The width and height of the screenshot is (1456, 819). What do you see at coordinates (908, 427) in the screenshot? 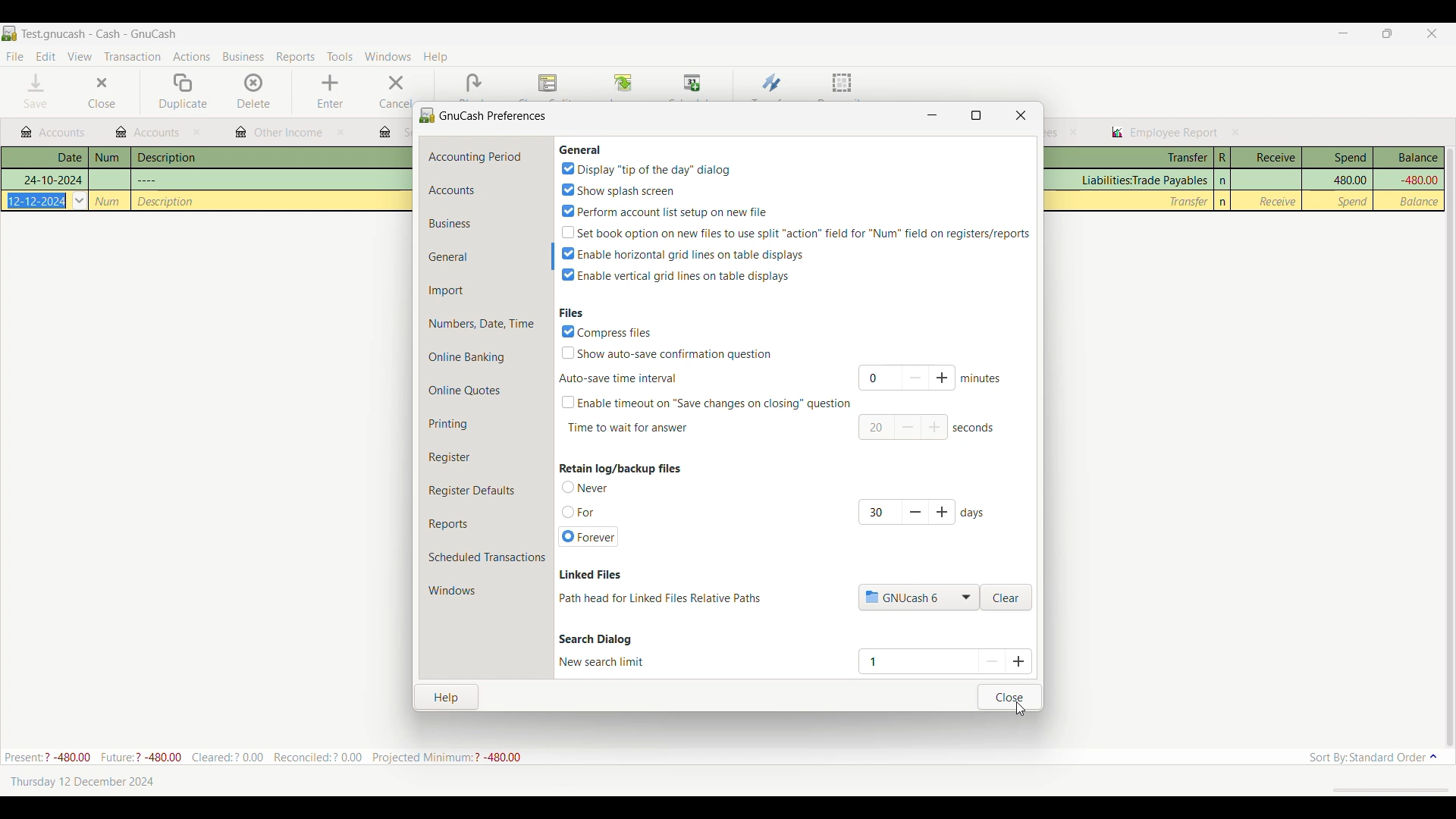
I see `Subtract ` at bounding box center [908, 427].